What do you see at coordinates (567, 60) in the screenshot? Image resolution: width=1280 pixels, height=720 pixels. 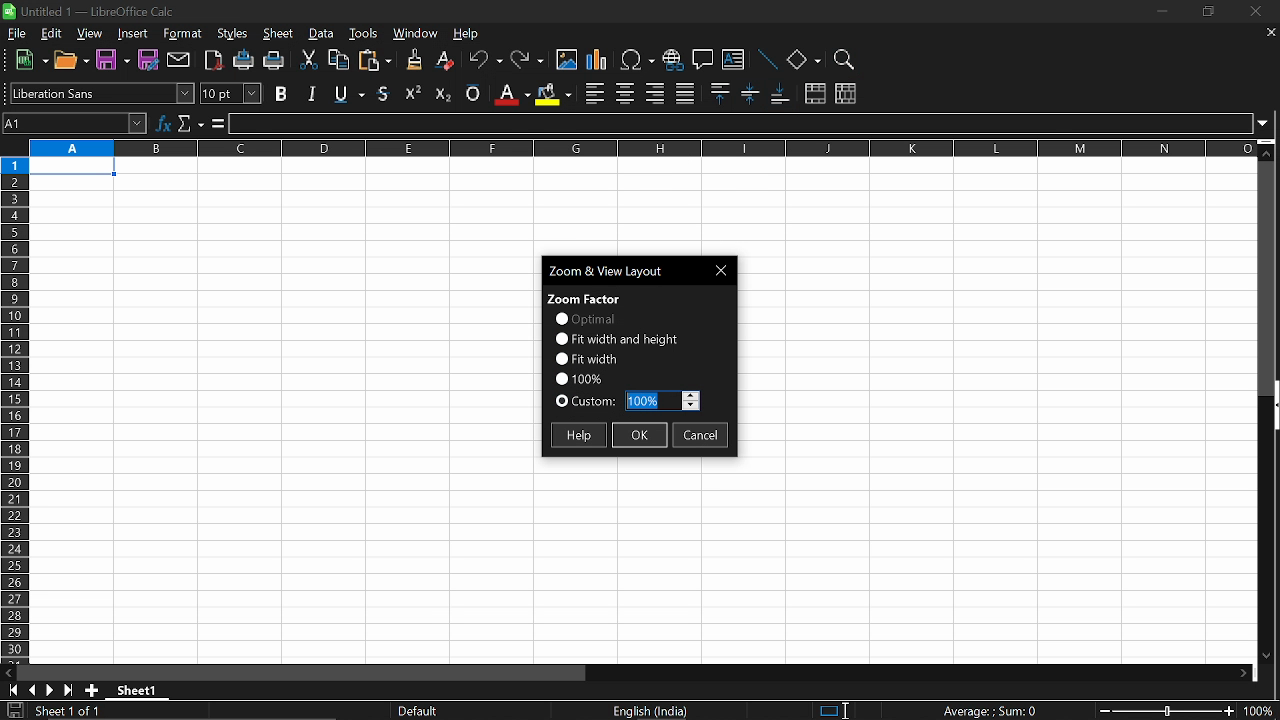 I see `insert image` at bounding box center [567, 60].